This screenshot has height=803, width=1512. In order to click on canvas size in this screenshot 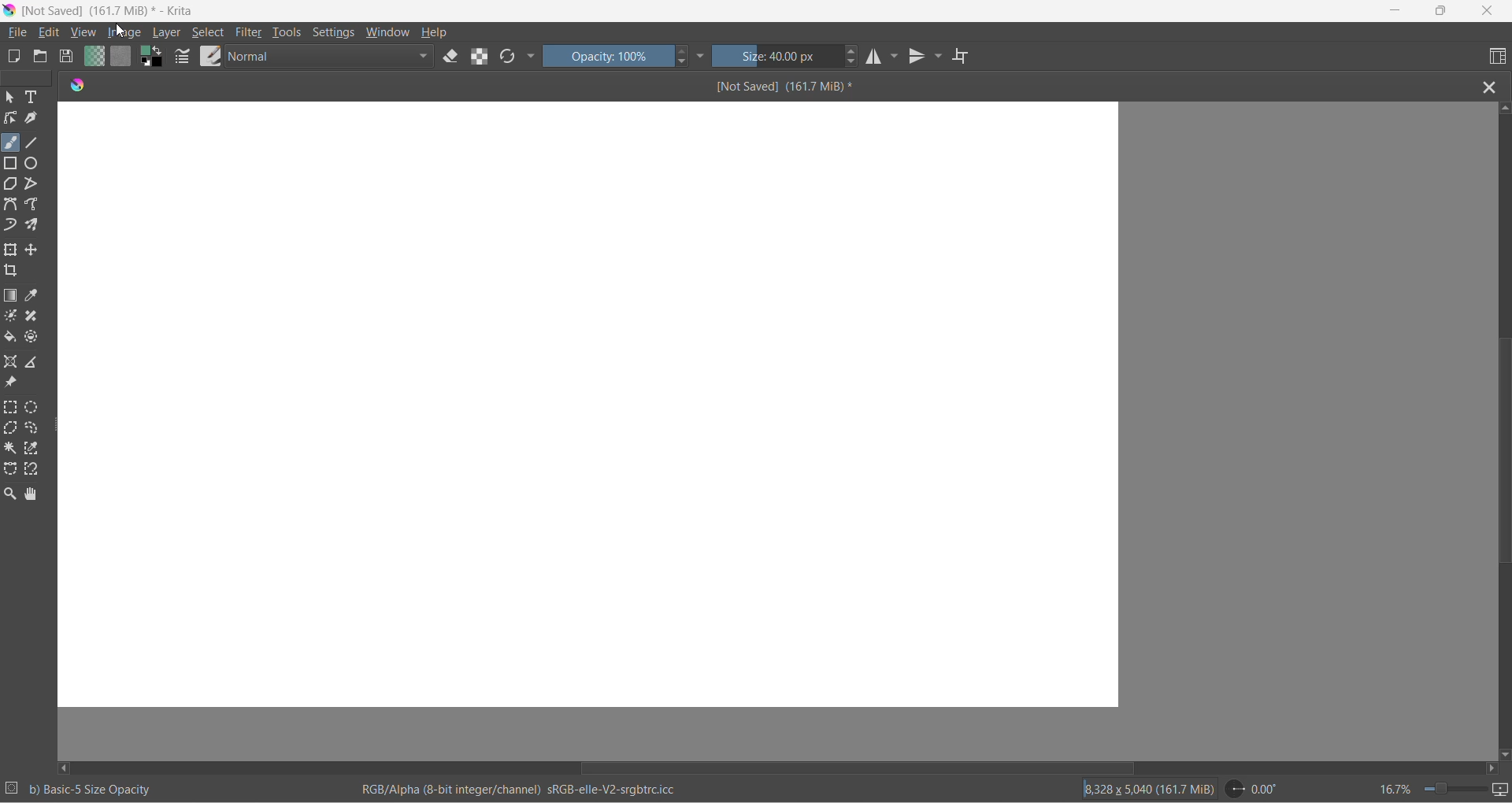, I will do `click(589, 406)`.